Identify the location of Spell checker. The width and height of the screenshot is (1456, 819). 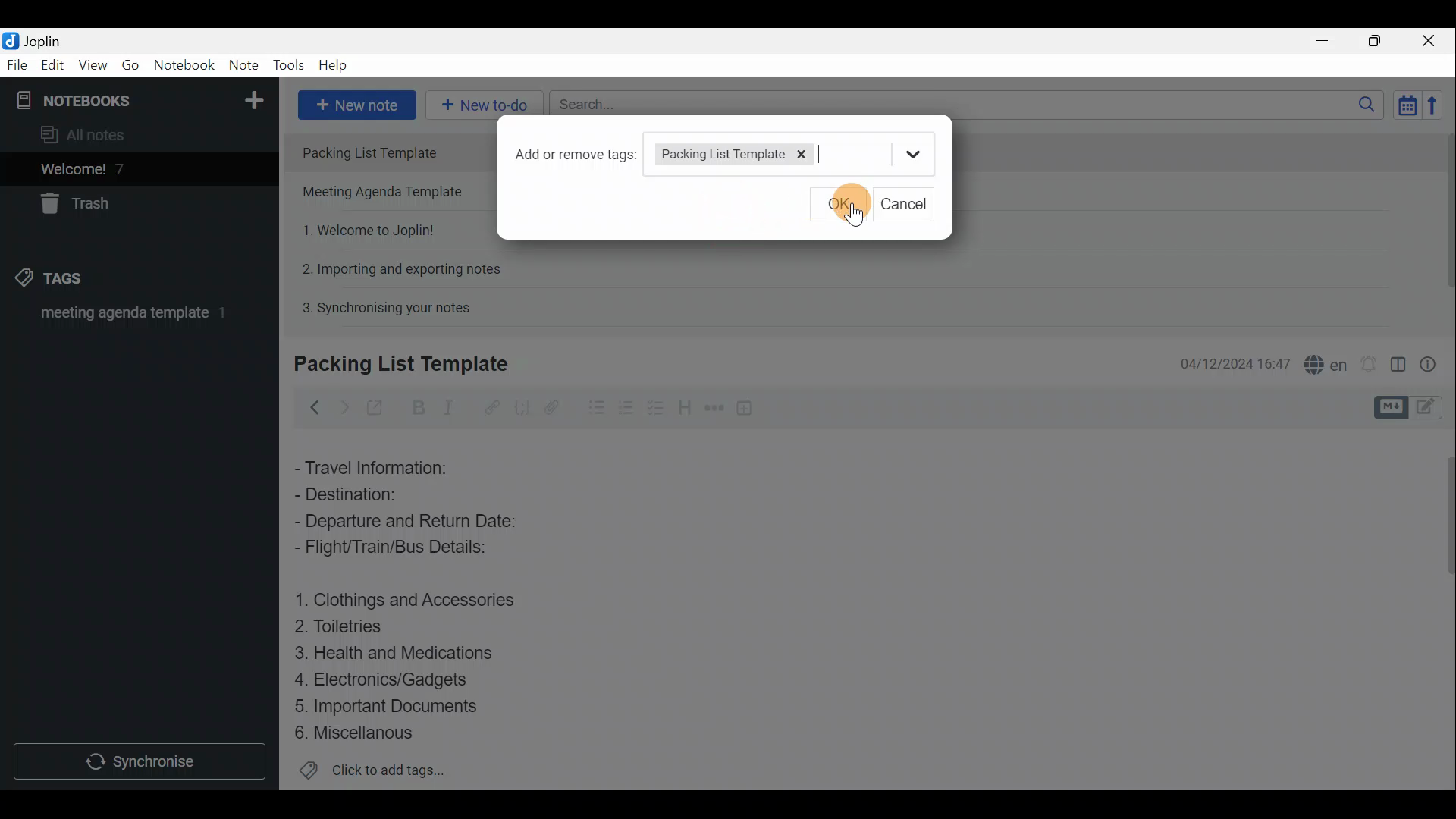
(1322, 362).